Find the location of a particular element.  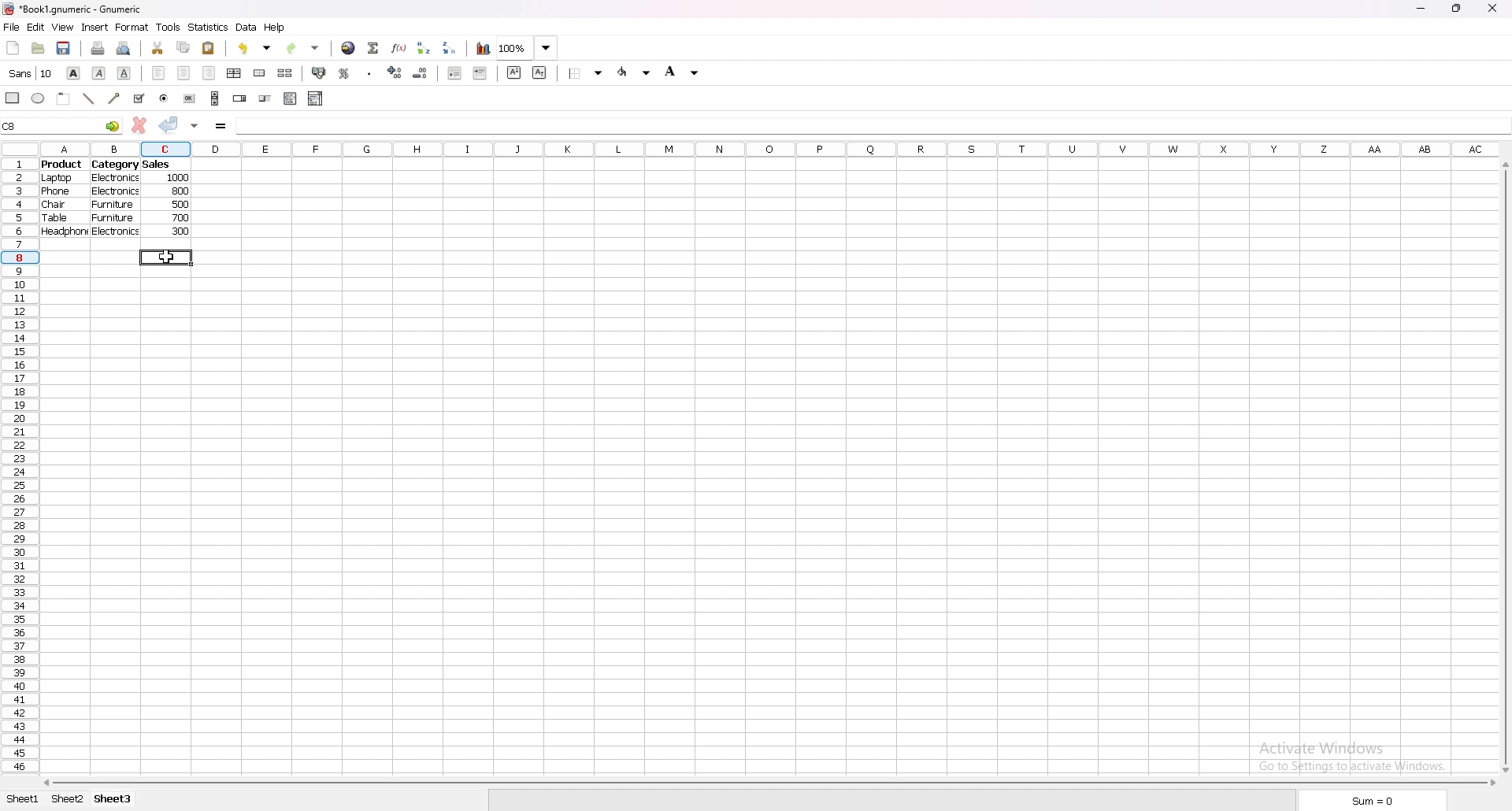

summation is located at coordinates (375, 47).